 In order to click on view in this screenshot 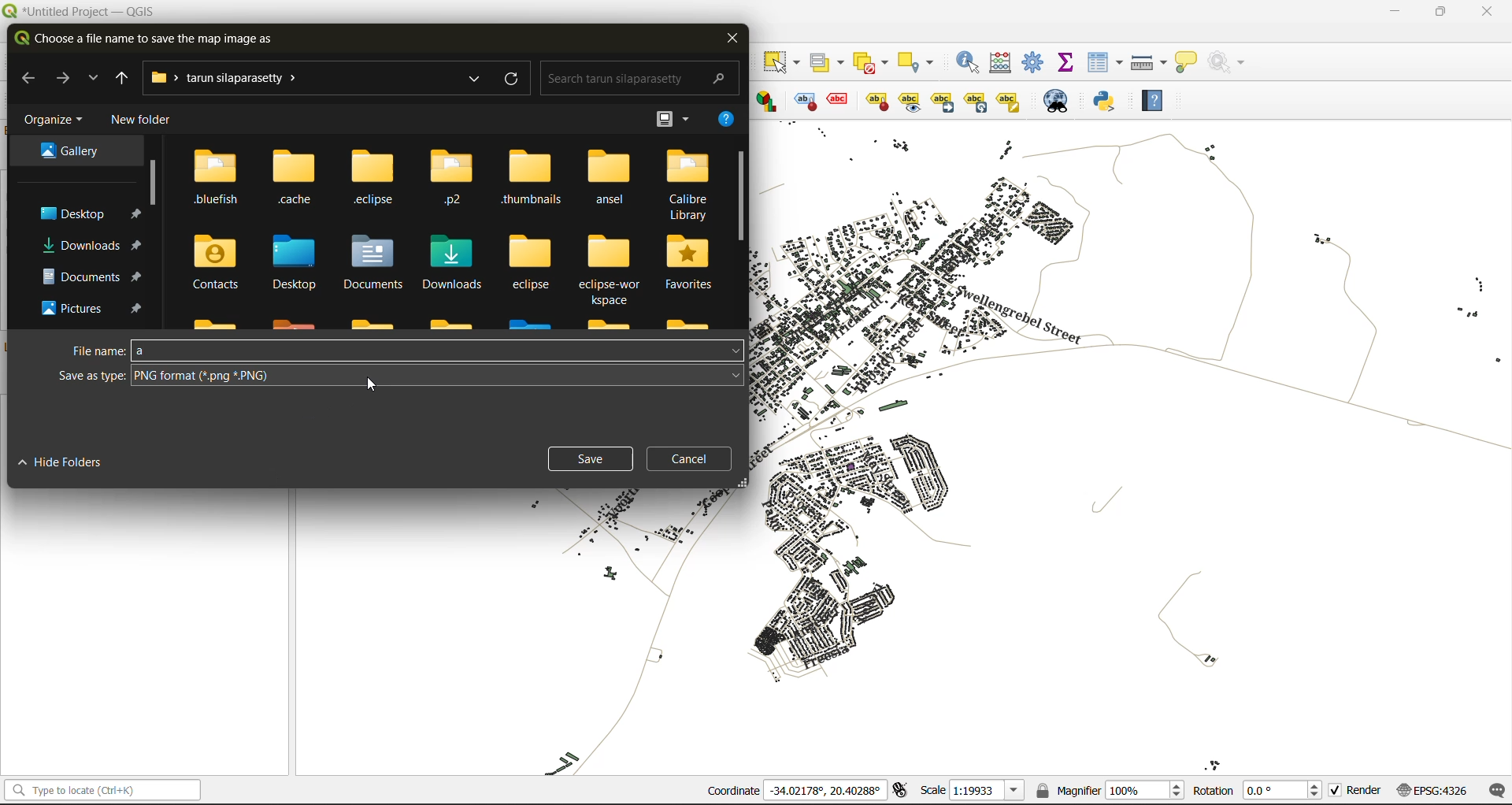, I will do `click(673, 117)`.